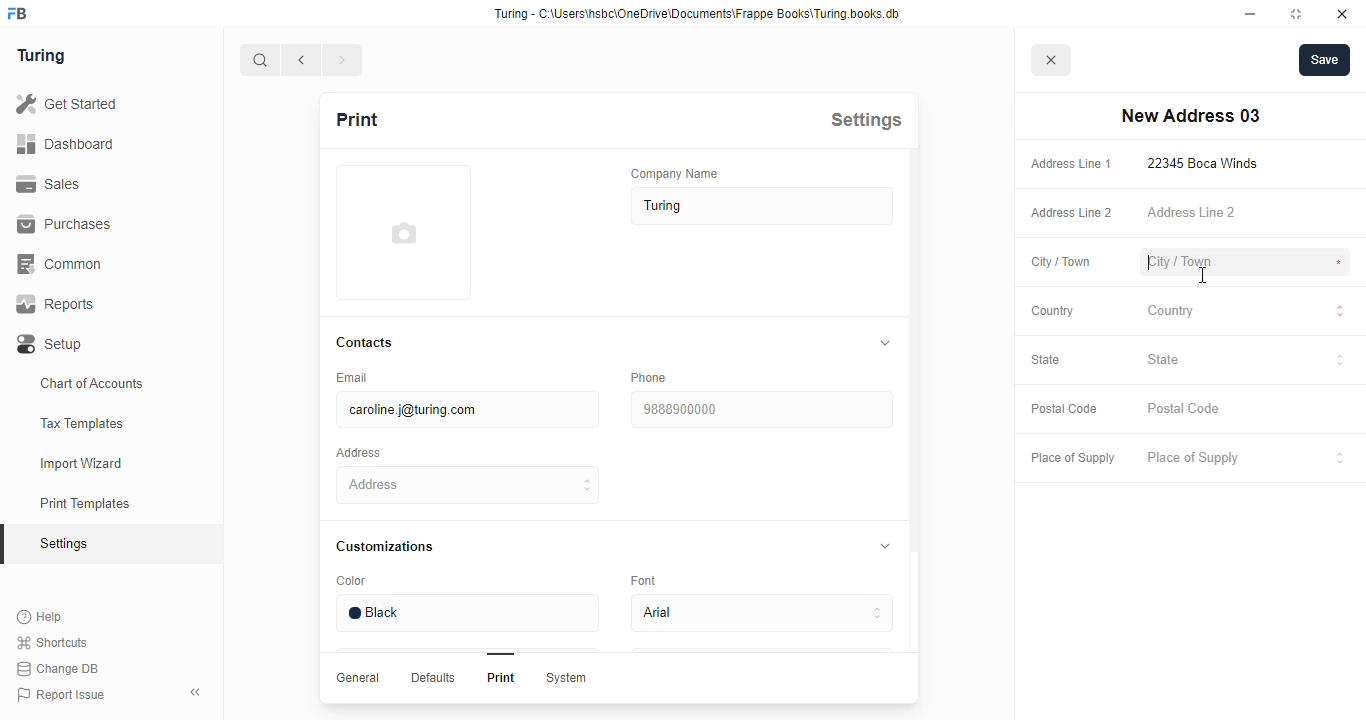 The width and height of the screenshot is (1366, 720). I want to click on Turing - C:\Users\hshc\OneDrive\Documents\Frappe Books\Turing.books.db, so click(699, 14).